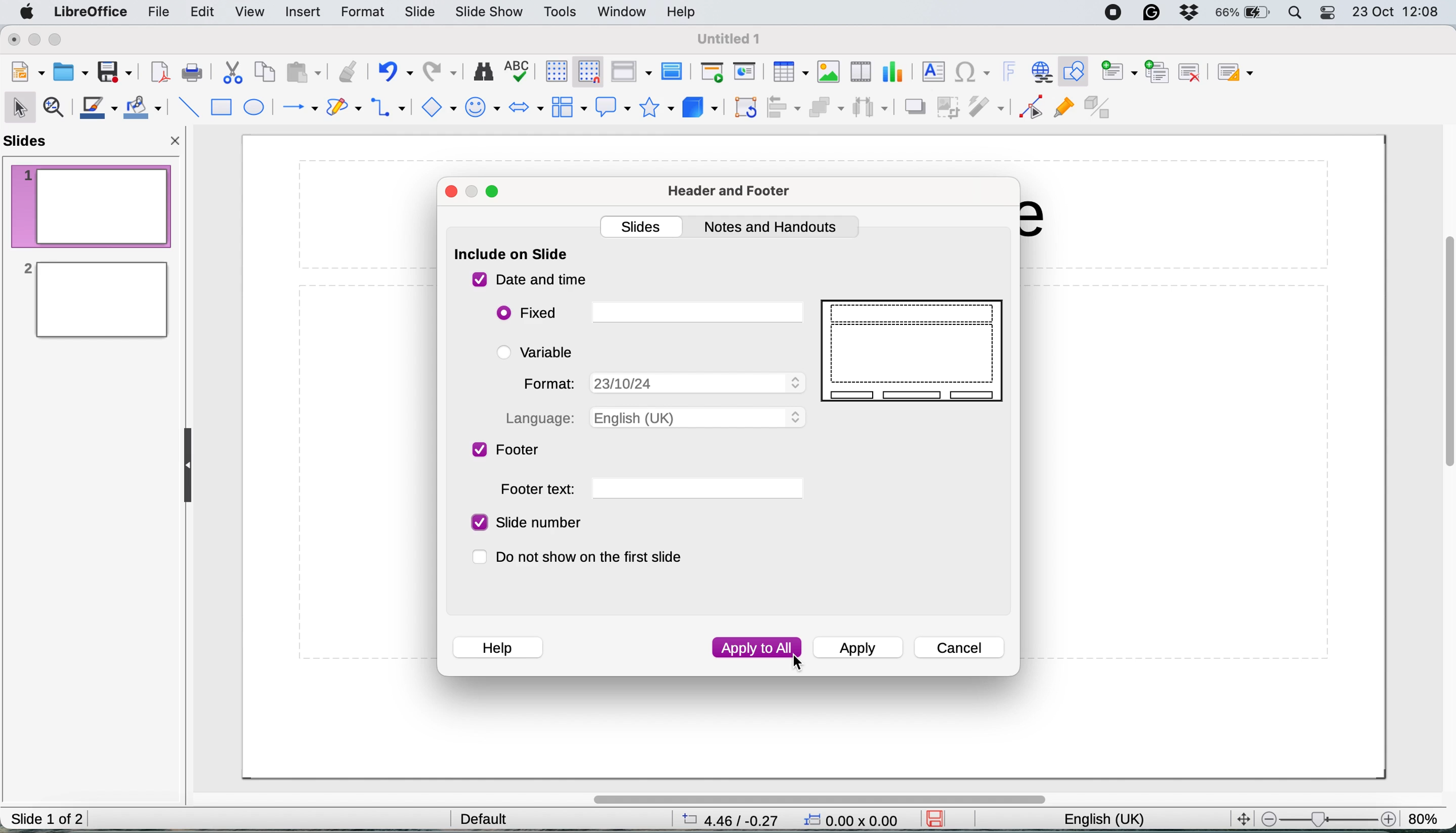 Image resolution: width=1456 pixels, height=833 pixels. I want to click on cursor, so click(794, 661).